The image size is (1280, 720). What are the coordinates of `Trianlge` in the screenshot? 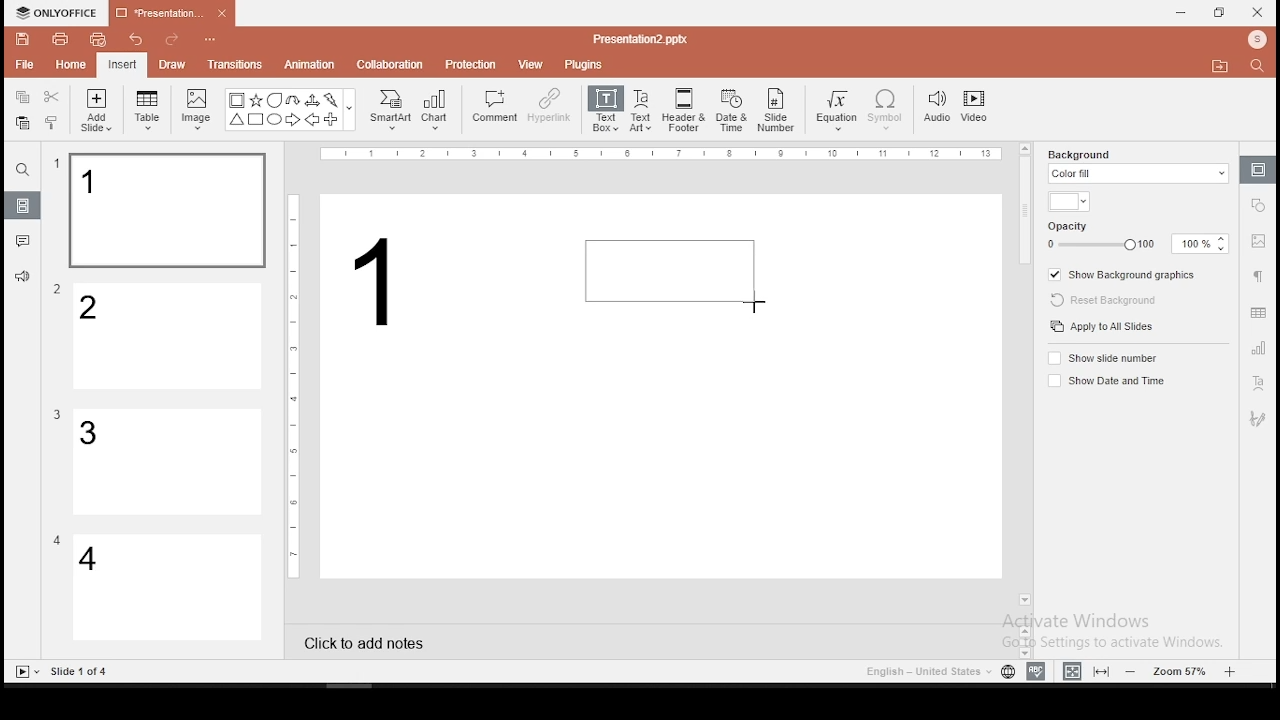 It's located at (236, 120).